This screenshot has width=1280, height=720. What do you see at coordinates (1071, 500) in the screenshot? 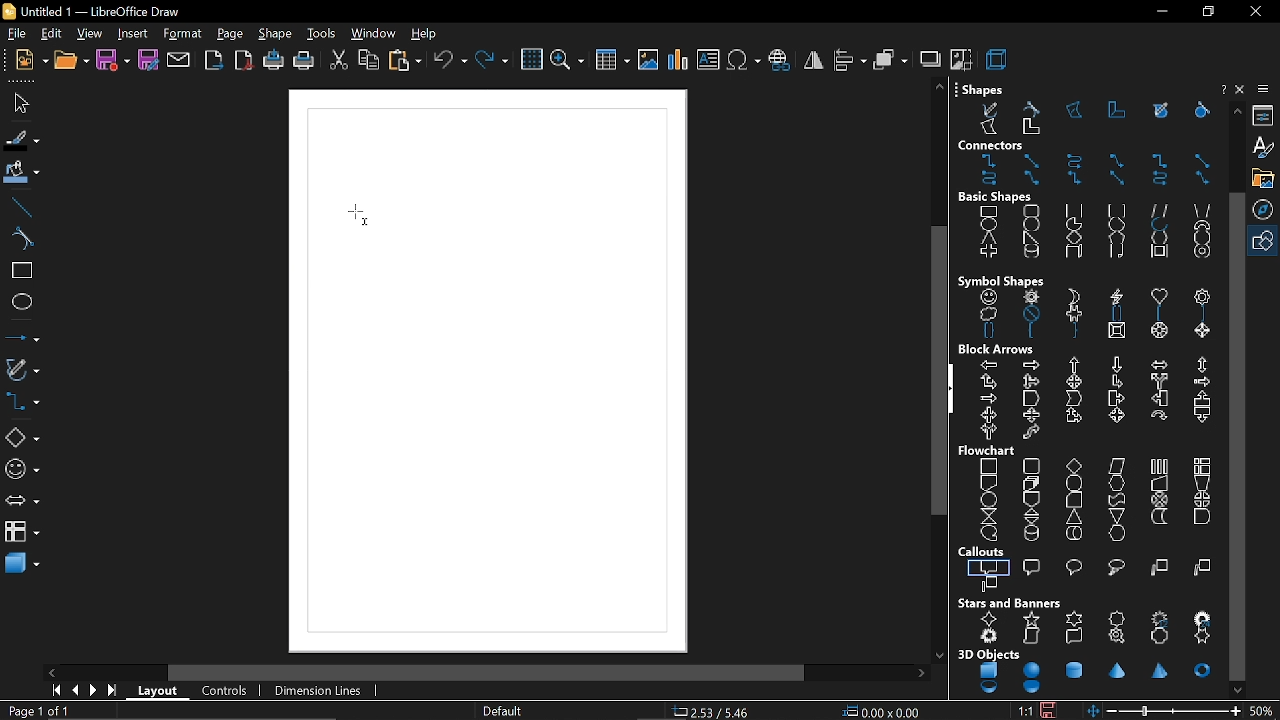
I see `card` at bounding box center [1071, 500].